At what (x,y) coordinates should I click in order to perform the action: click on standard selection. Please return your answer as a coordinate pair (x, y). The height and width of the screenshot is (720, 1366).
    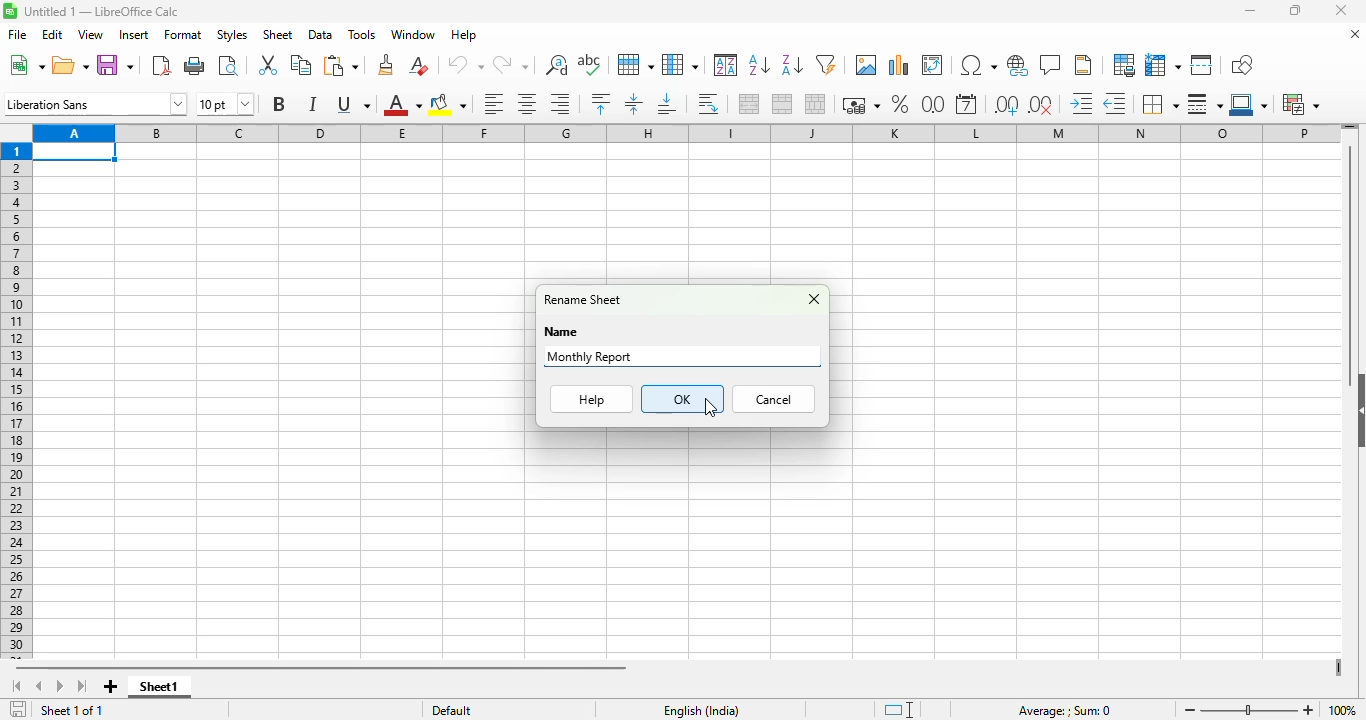
    Looking at the image, I should click on (900, 709).